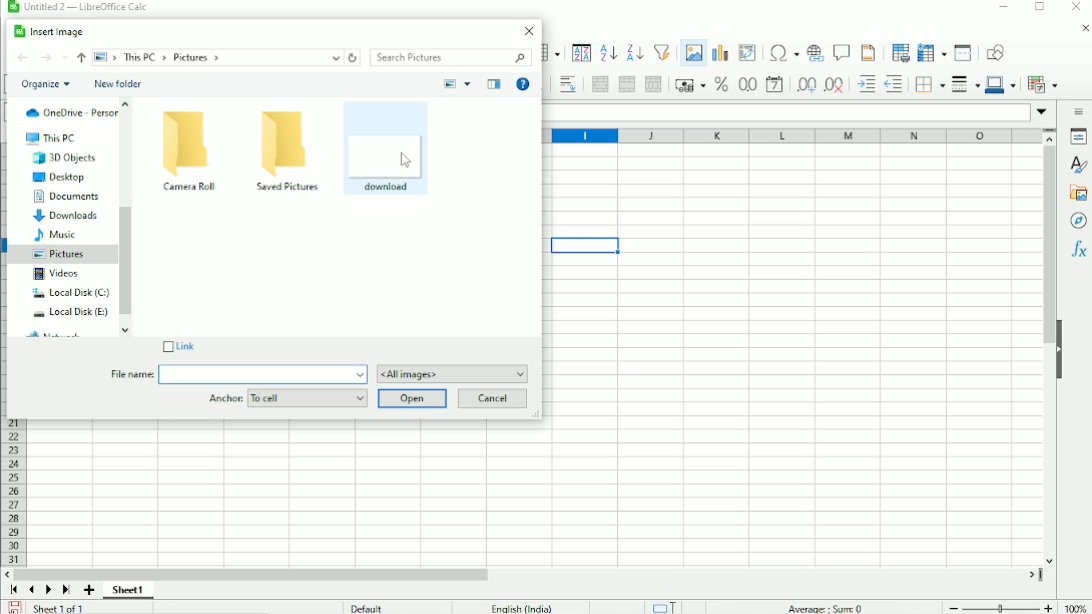 The height and width of the screenshot is (614, 1092). I want to click on Column headings, so click(792, 135).